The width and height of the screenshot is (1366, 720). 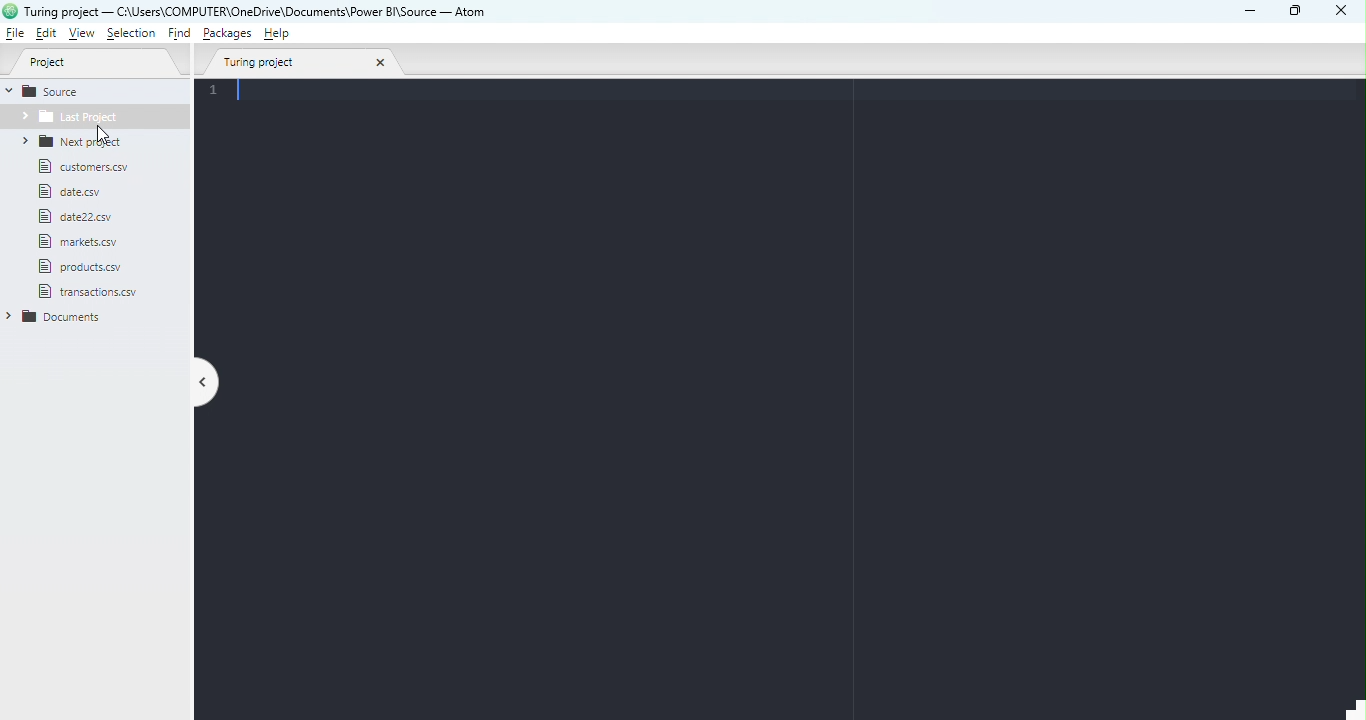 What do you see at coordinates (59, 92) in the screenshot?
I see `Source` at bounding box center [59, 92].